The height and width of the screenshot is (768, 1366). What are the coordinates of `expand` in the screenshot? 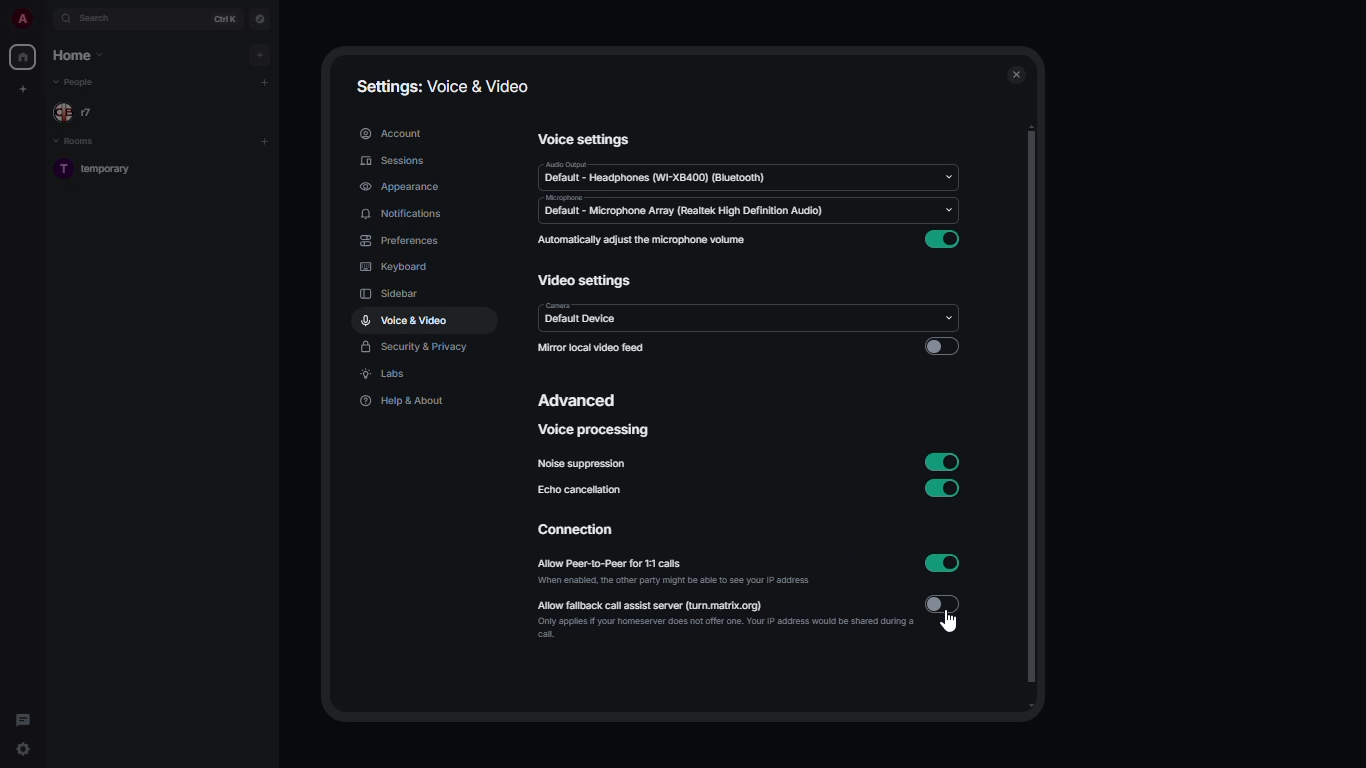 It's located at (45, 18).